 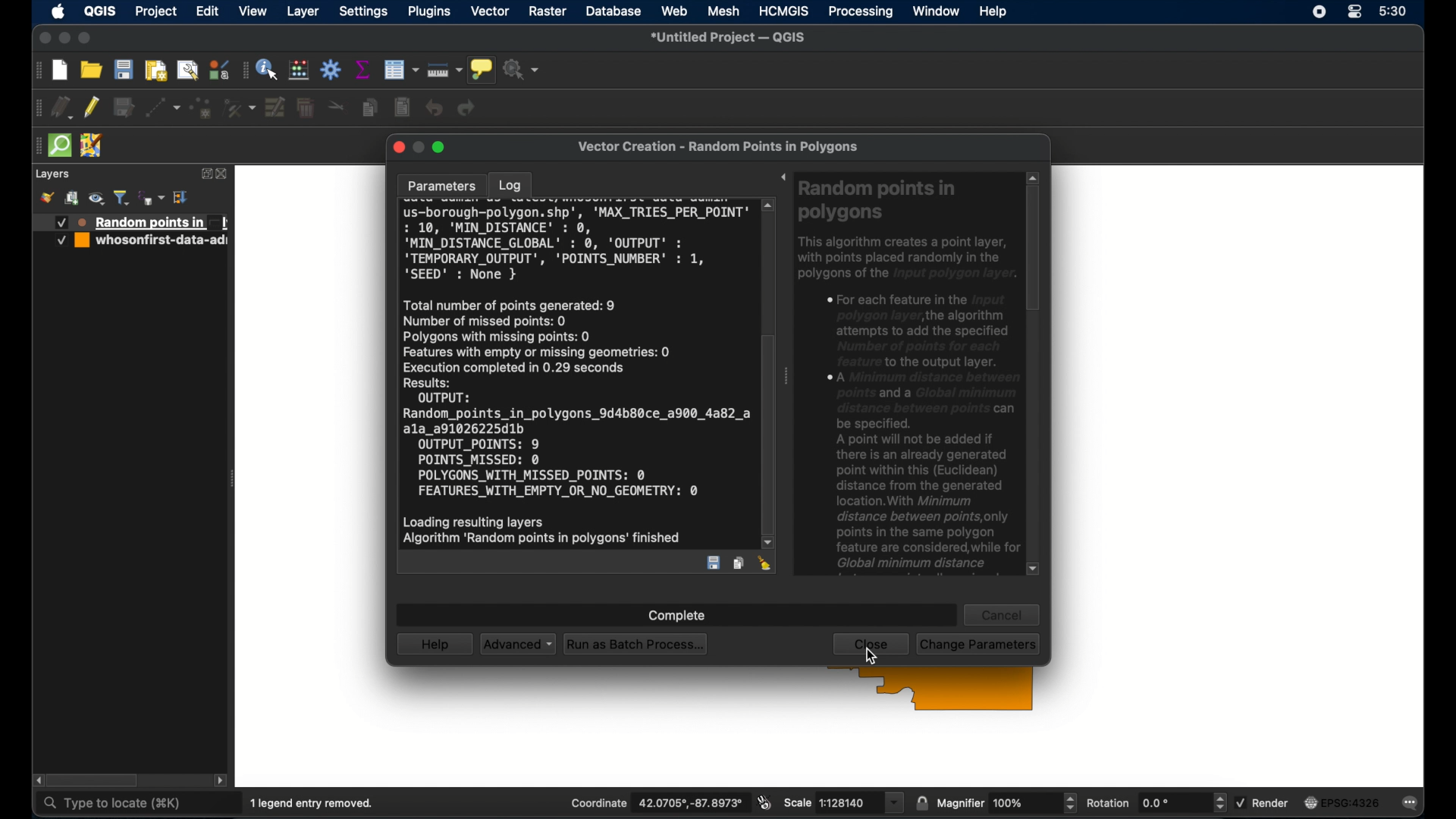 What do you see at coordinates (400, 70) in the screenshot?
I see `open attribute table` at bounding box center [400, 70].